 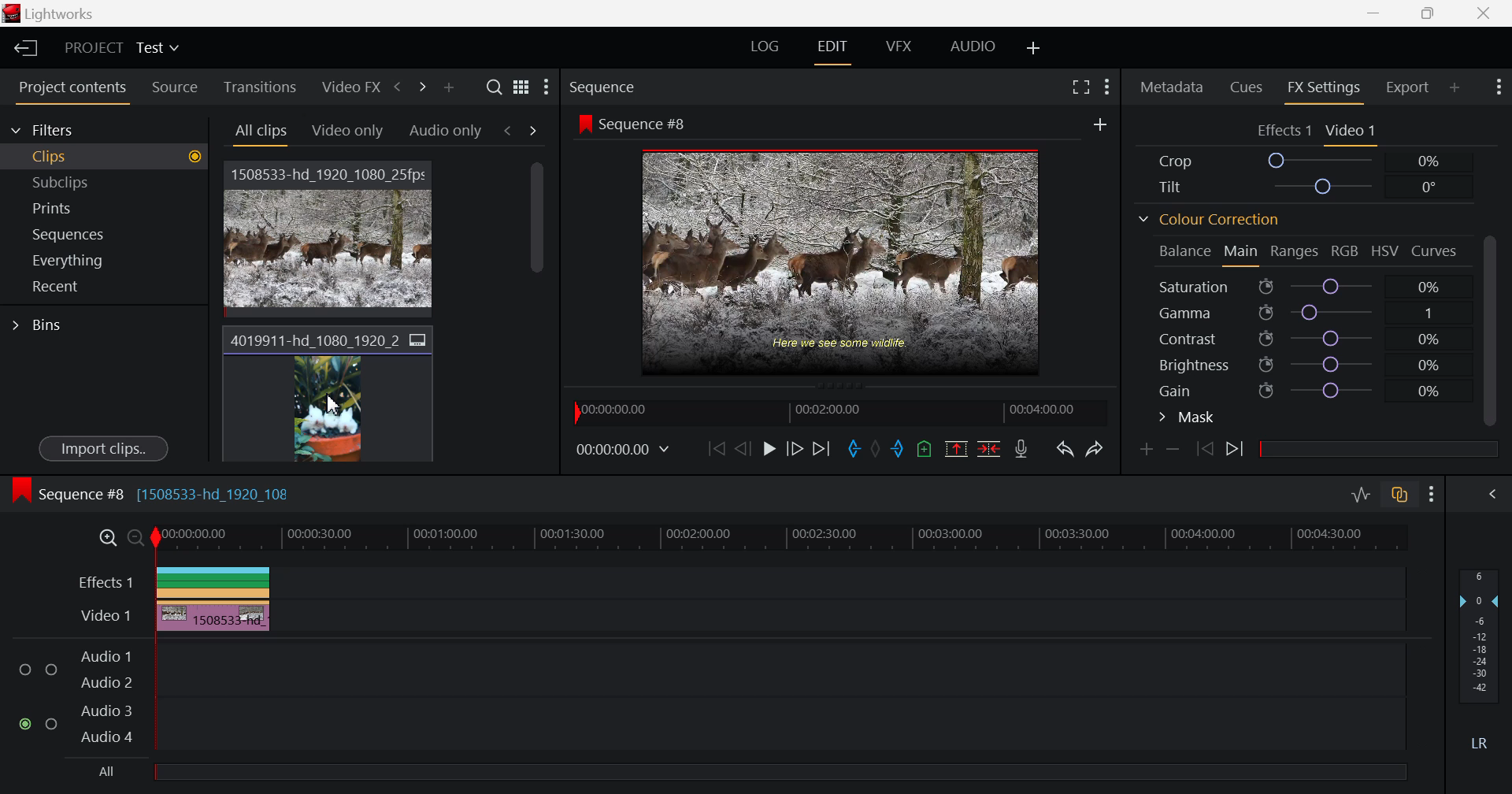 I want to click on Show Settings, so click(x=1496, y=87).